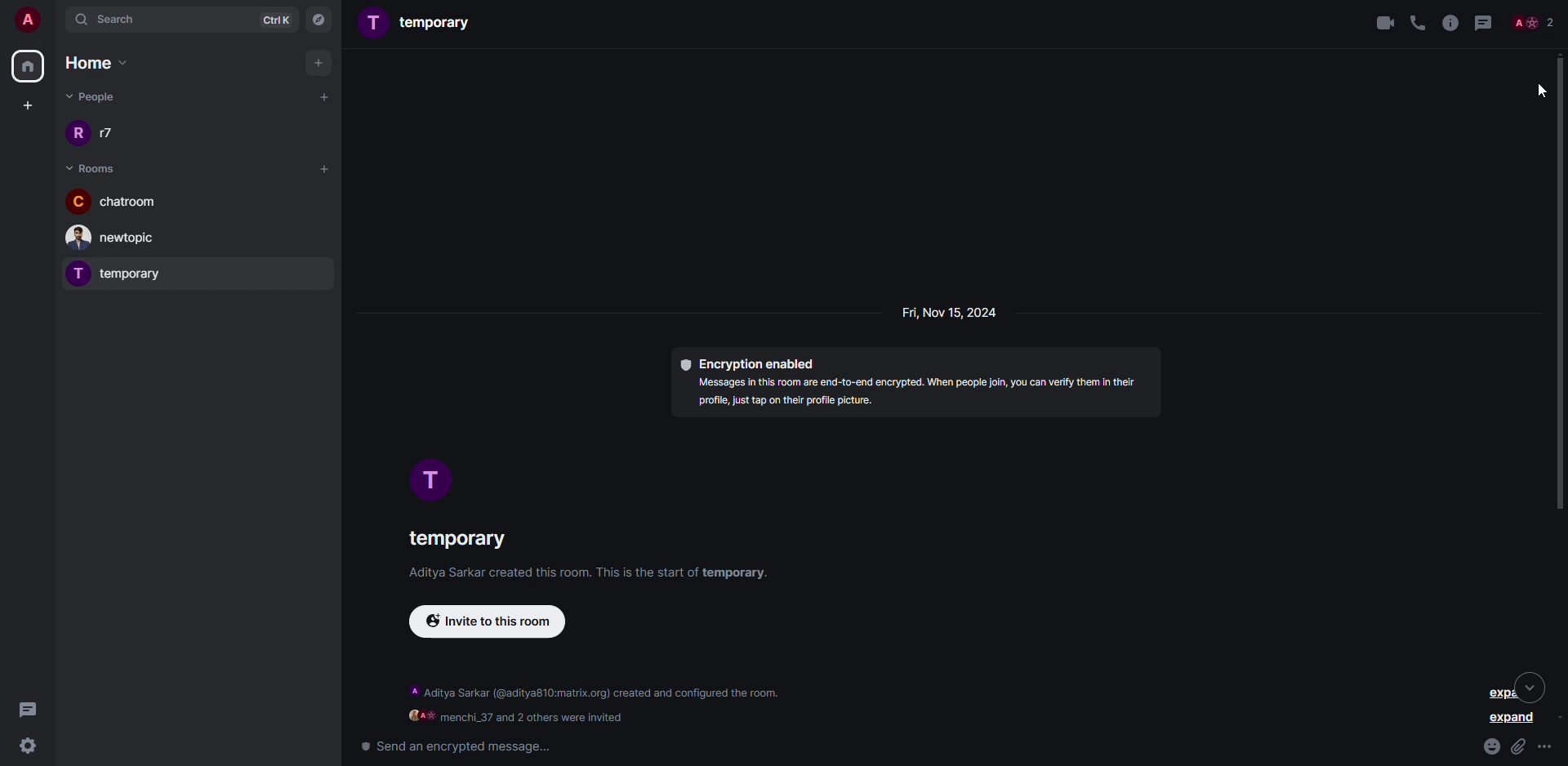 Image resolution: width=1568 pixels, height=766 pixels. I want to click on emoji, so click(1491, 744).